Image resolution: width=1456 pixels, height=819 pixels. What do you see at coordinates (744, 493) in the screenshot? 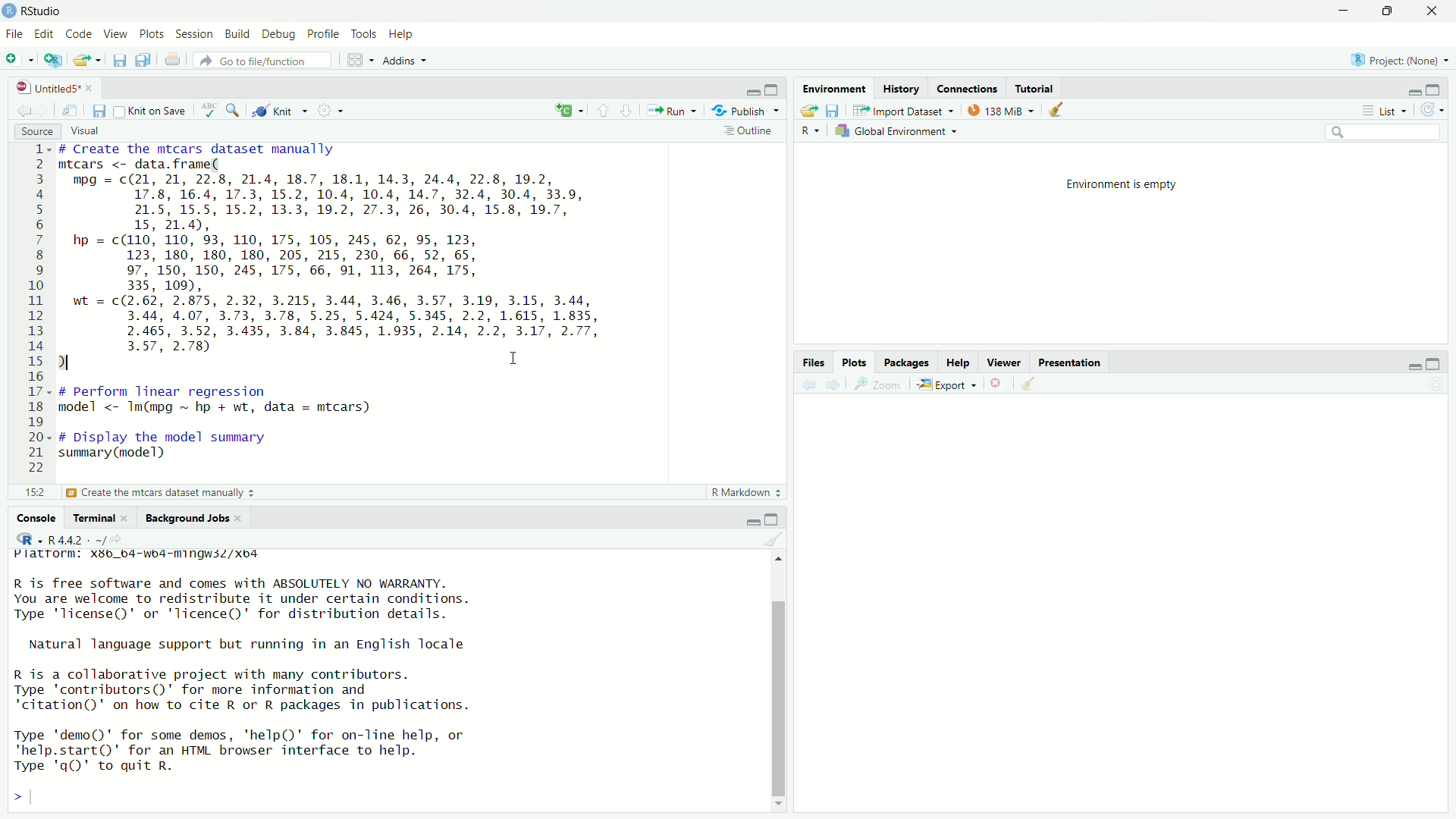
I see `R Markdown` at bounding box center [744, 493].